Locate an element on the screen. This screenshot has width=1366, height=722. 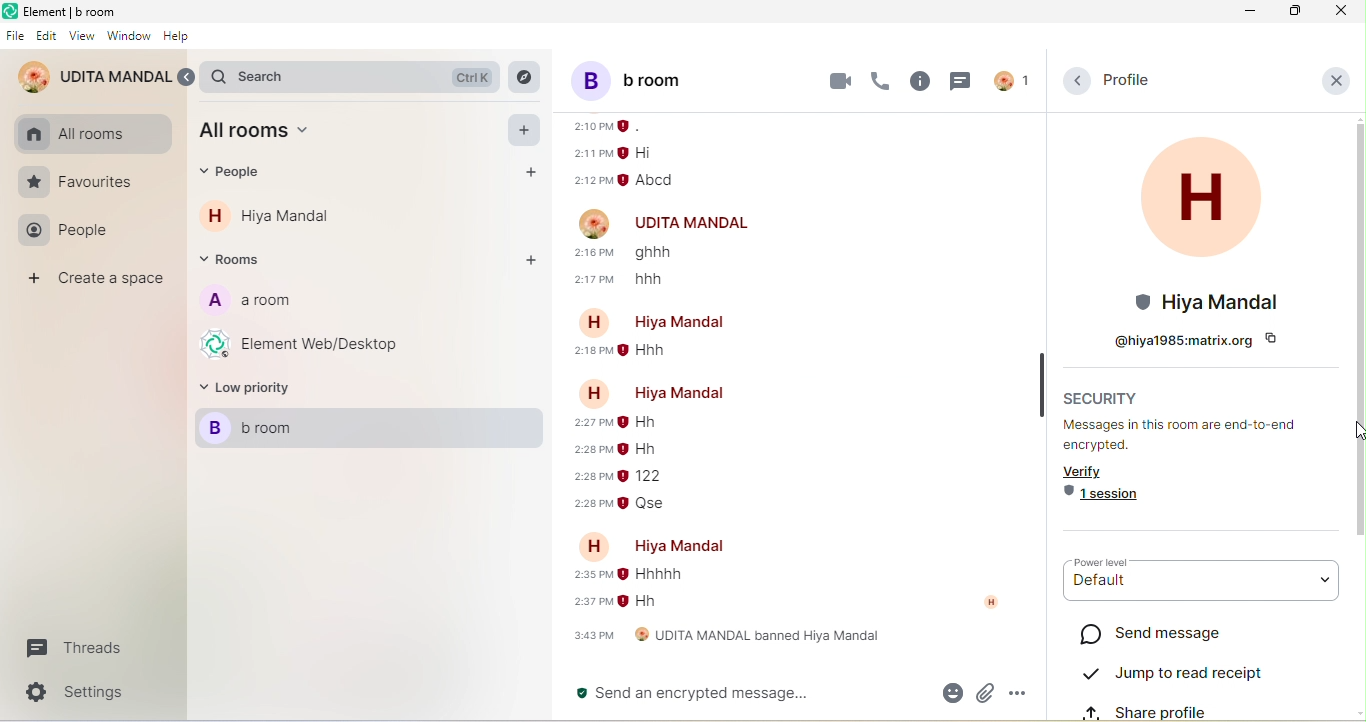
account profile image is located at coordinates (595, 222).